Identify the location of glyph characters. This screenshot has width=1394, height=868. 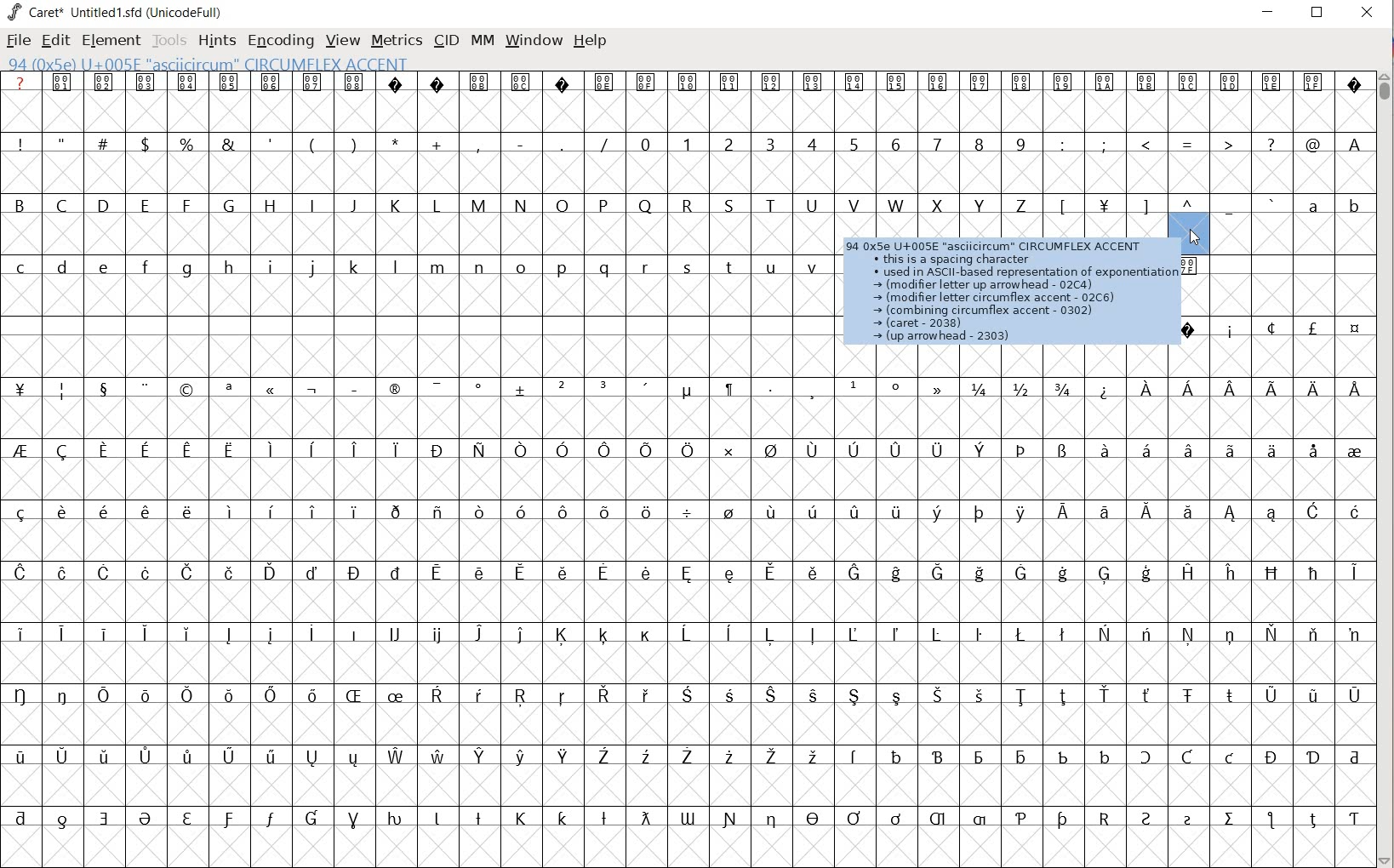
(1106, 440).